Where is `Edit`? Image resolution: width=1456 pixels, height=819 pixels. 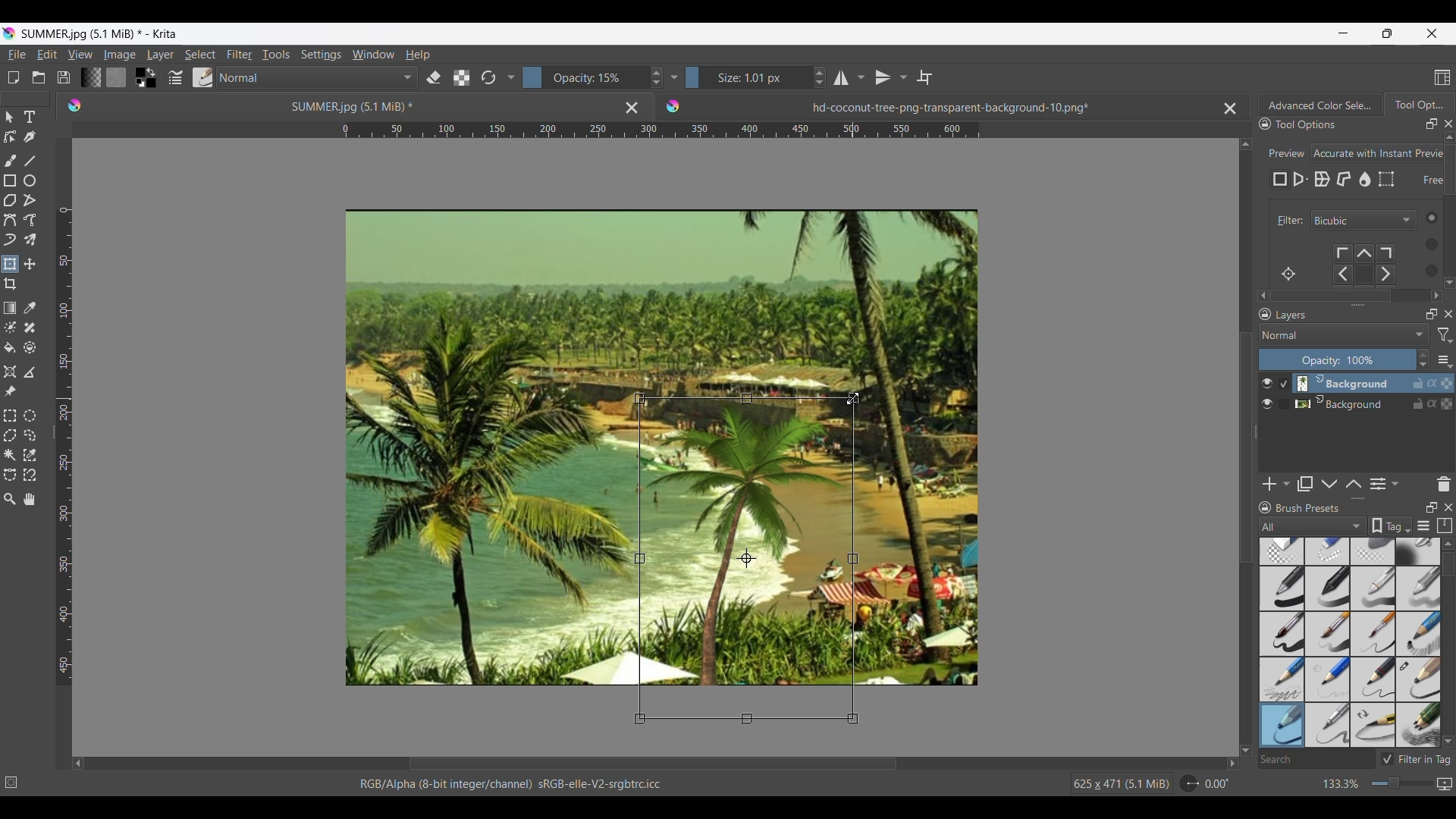
Edit is located at coordinates (46, 54).